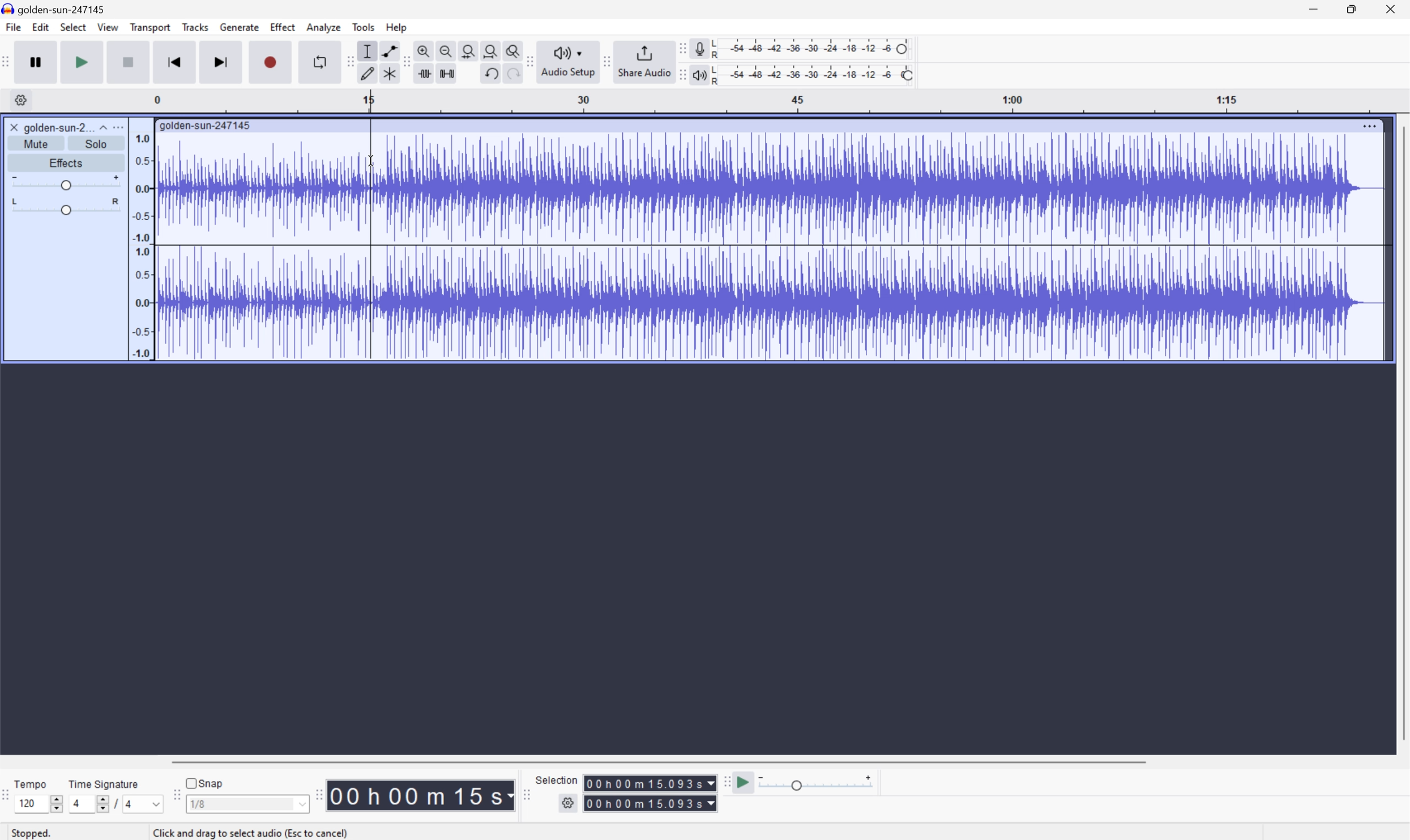 The width and height of the screenshot is (1410, 840). What do you see at coordinates (254, 829) in the screenshot?
I see `Click and drag to select audio` at bounding box center [254, 829].